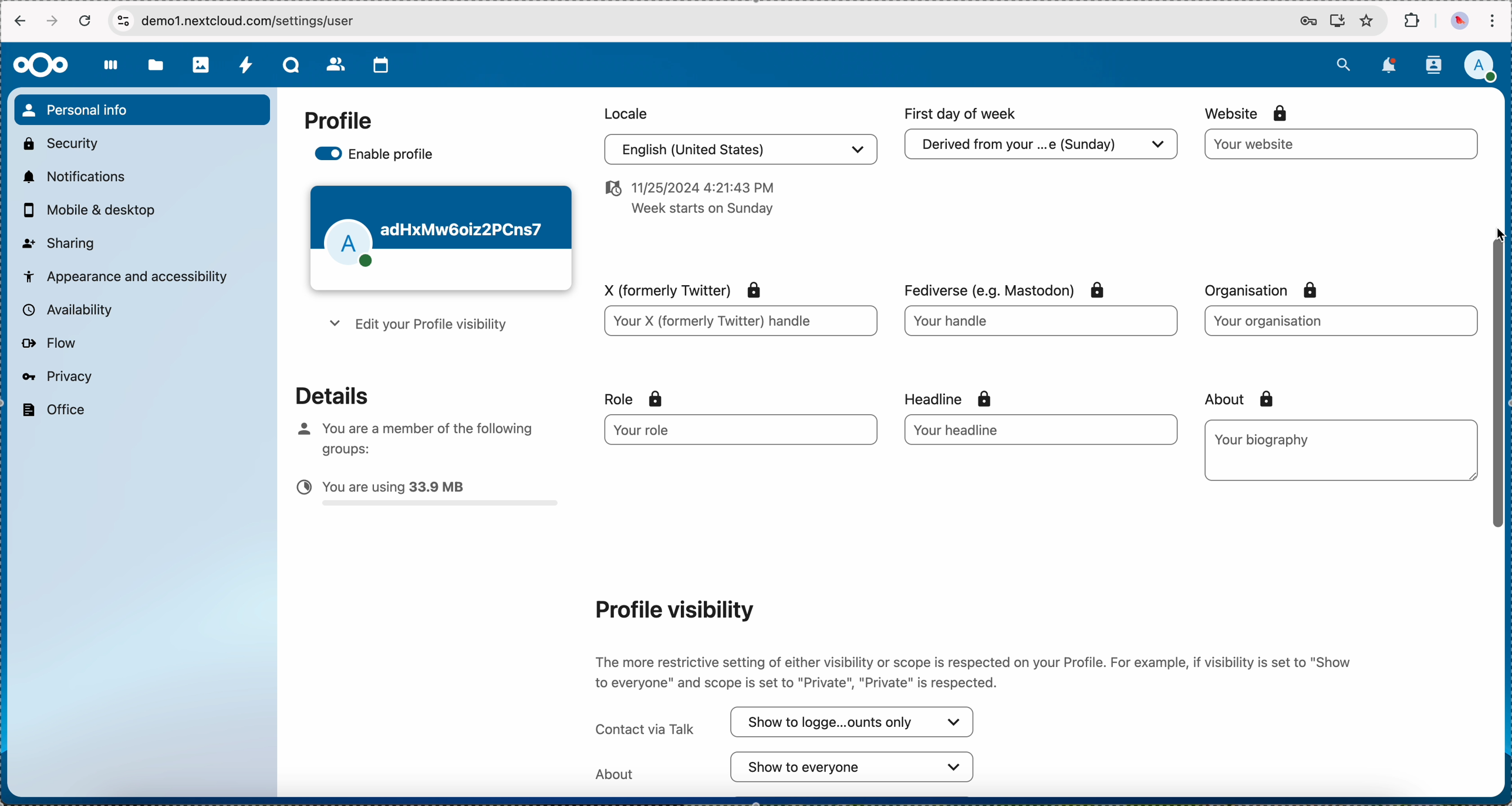  Describe the element at coordinates (112, 72) in the screenshot. I see `dashboard` at that location.